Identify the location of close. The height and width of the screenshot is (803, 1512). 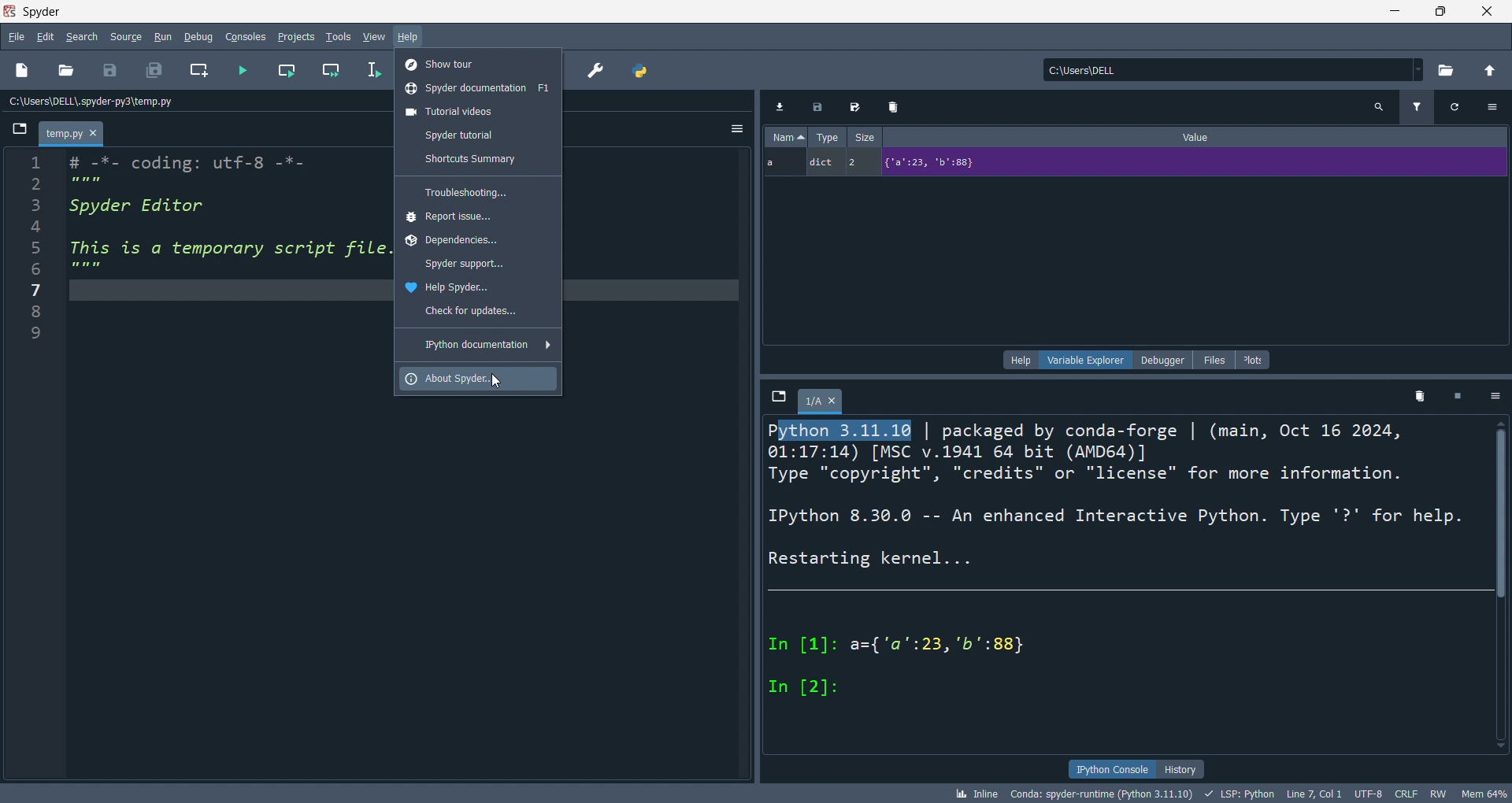
(1488, 12).